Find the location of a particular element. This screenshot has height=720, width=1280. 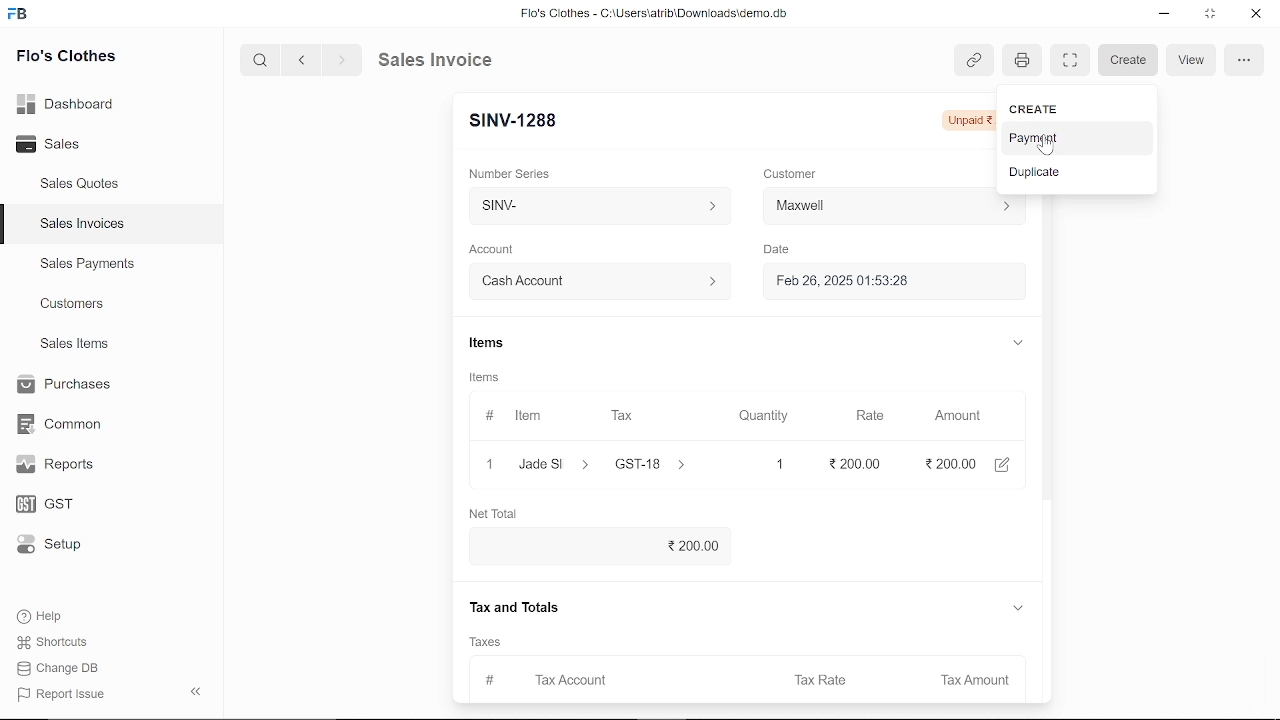

Sales Quotes is located at coordinates (82, 185).